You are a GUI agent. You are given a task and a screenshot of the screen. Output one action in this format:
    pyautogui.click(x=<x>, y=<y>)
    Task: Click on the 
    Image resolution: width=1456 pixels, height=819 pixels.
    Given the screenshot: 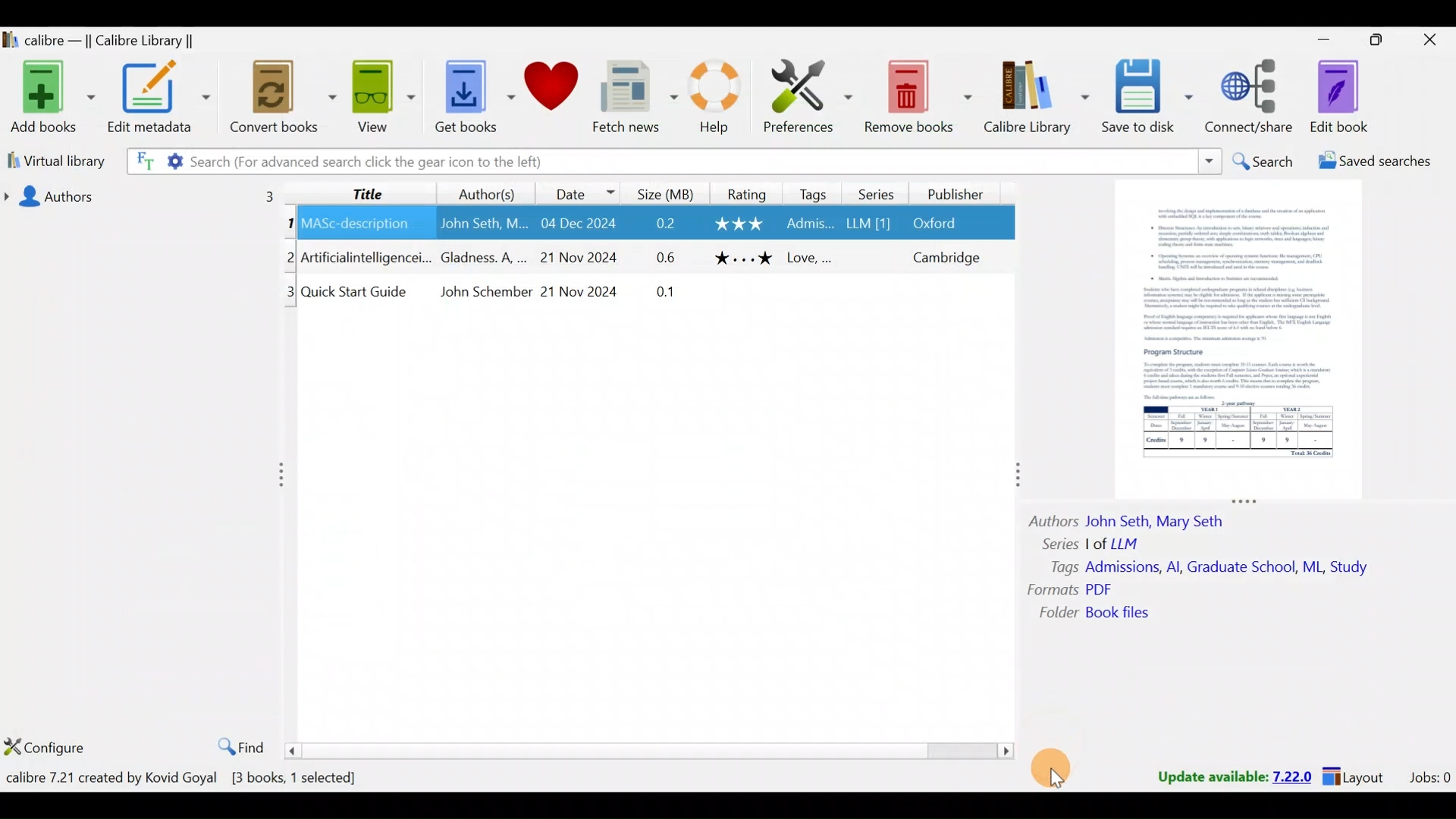 What is the action you would take?
    pyautogui.click(x=482, y=295)
    